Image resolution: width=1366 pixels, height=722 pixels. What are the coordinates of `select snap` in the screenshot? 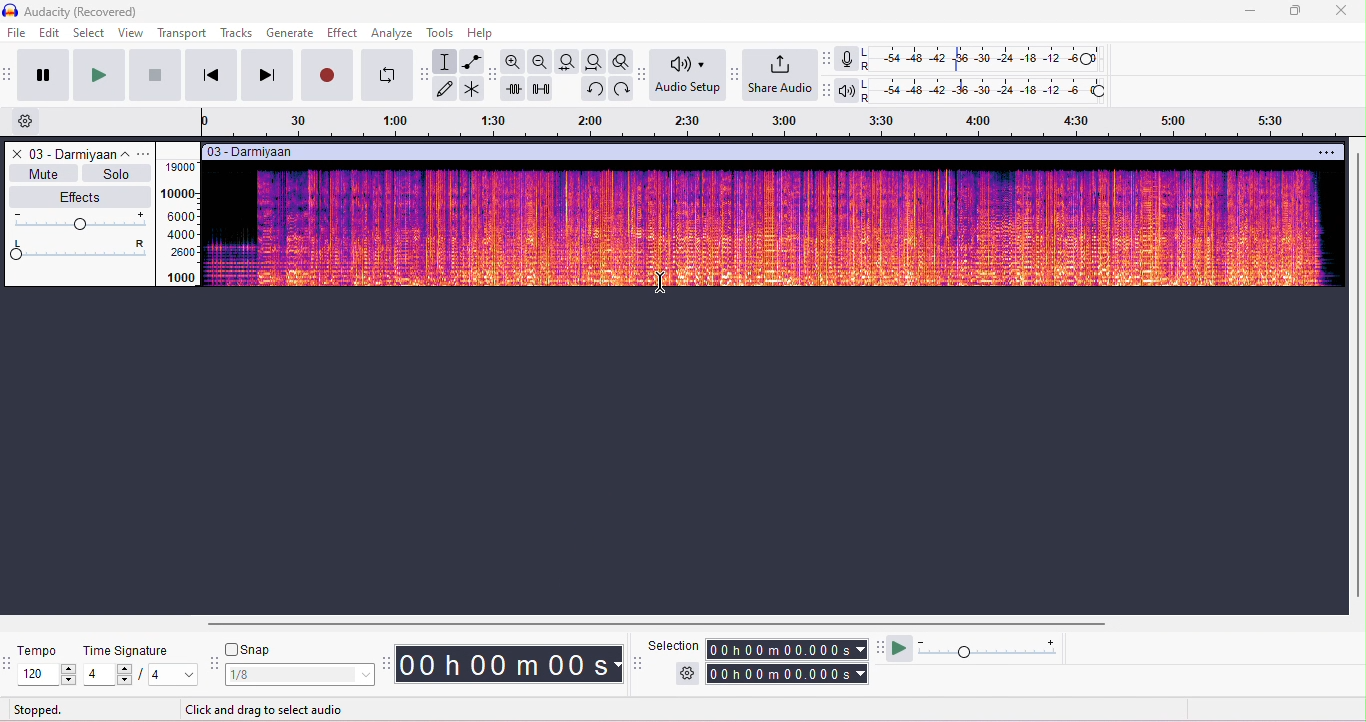 It's located at (301, 675).